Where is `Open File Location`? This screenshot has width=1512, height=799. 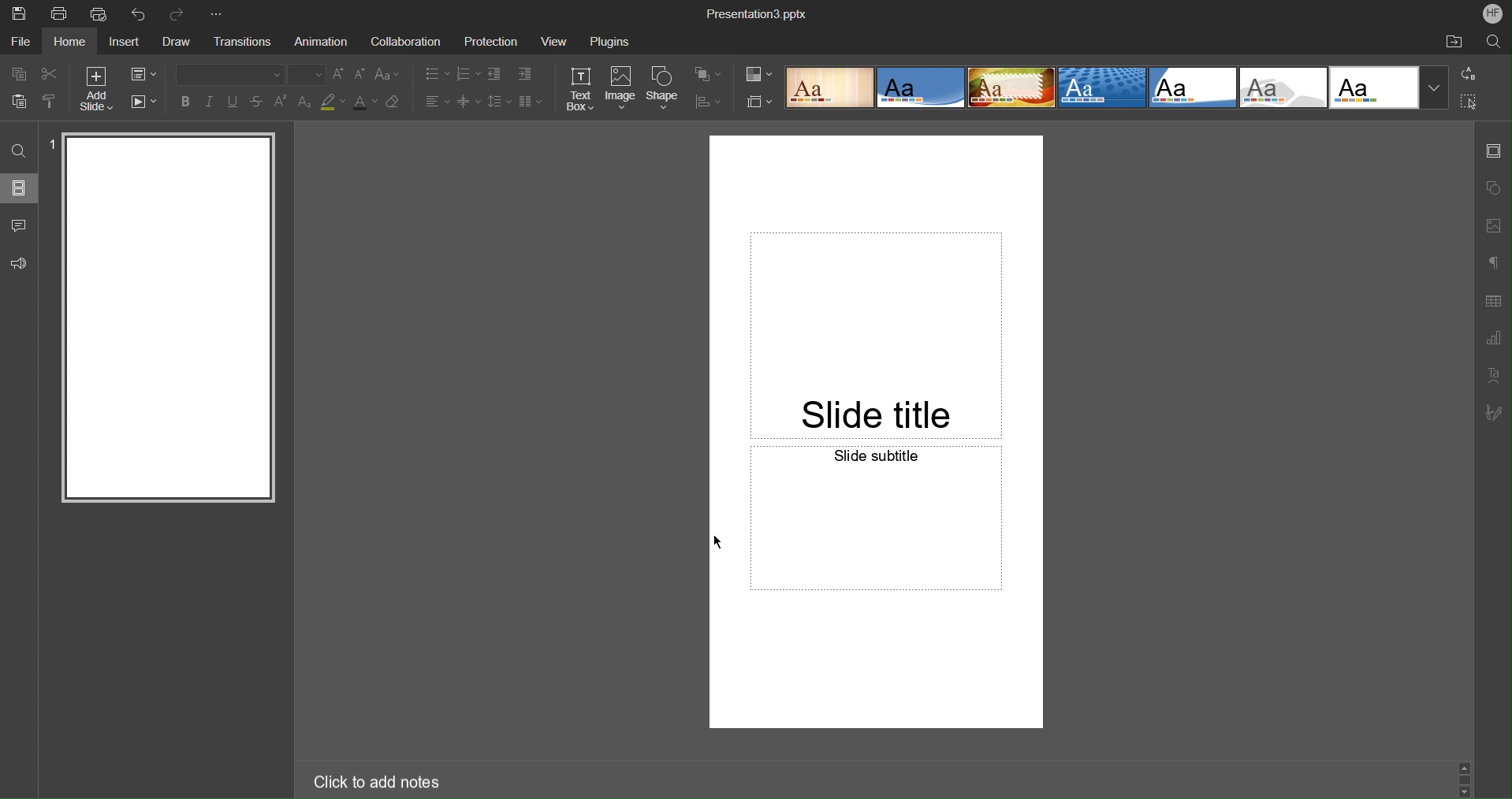 Open File Location is located at coordinates (1453, 43).